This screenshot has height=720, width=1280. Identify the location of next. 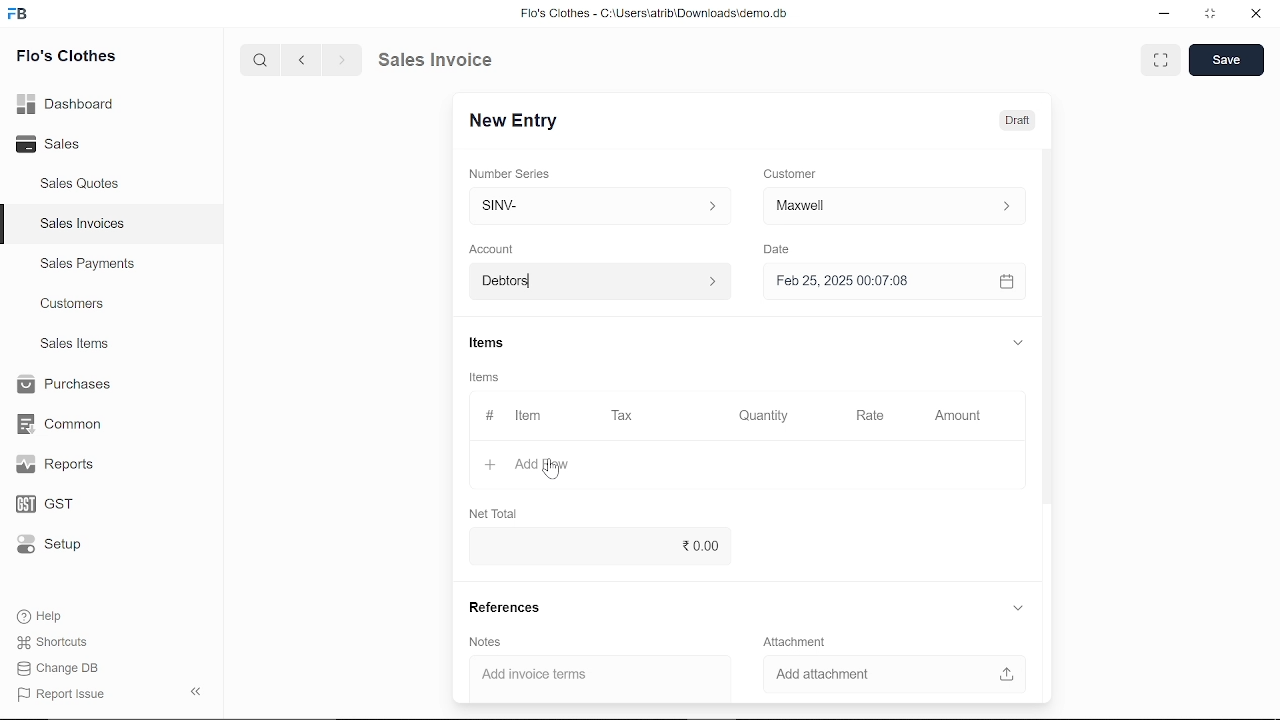
(342, 60).